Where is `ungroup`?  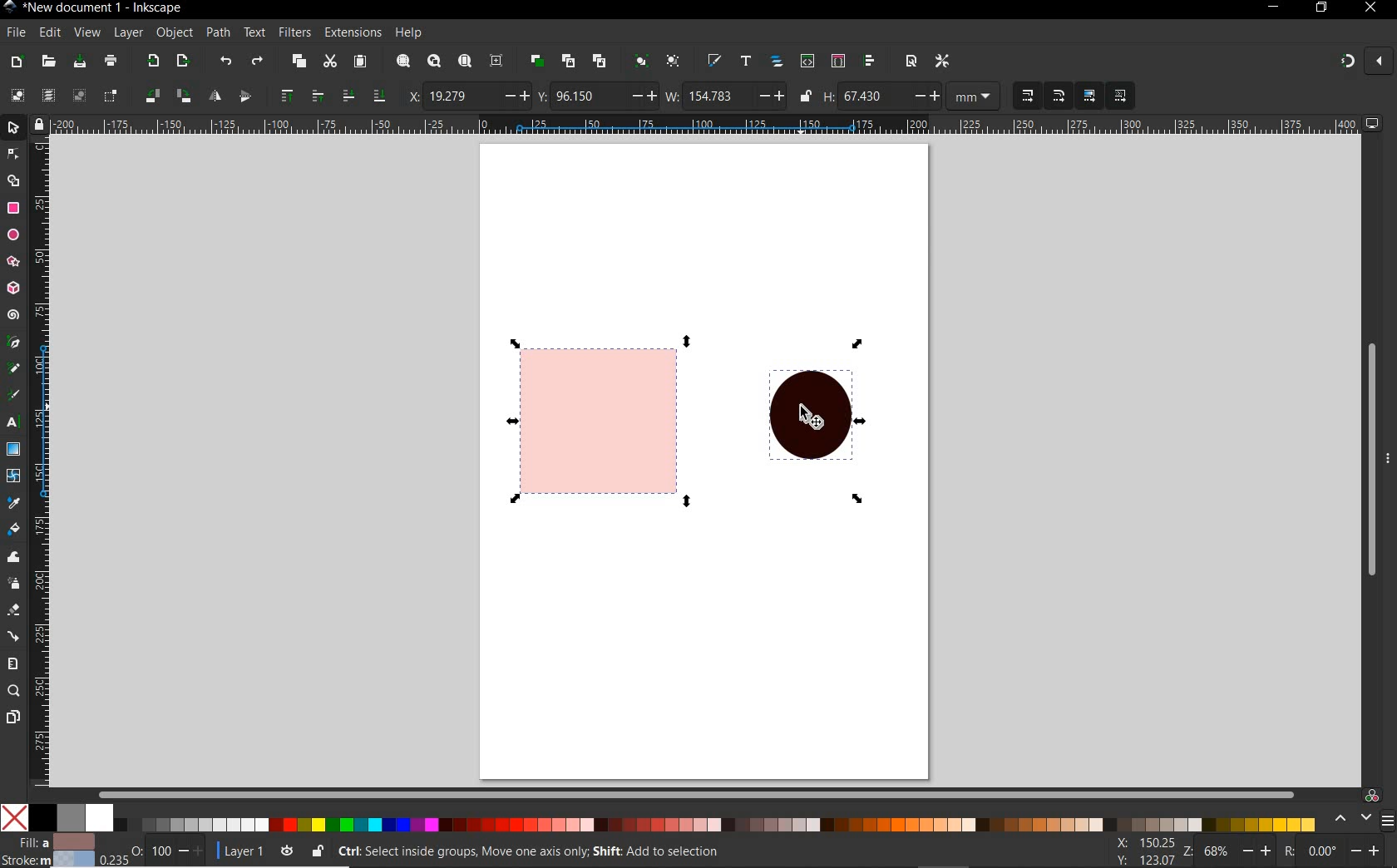 ungroup is located at coordinates (674, 61).